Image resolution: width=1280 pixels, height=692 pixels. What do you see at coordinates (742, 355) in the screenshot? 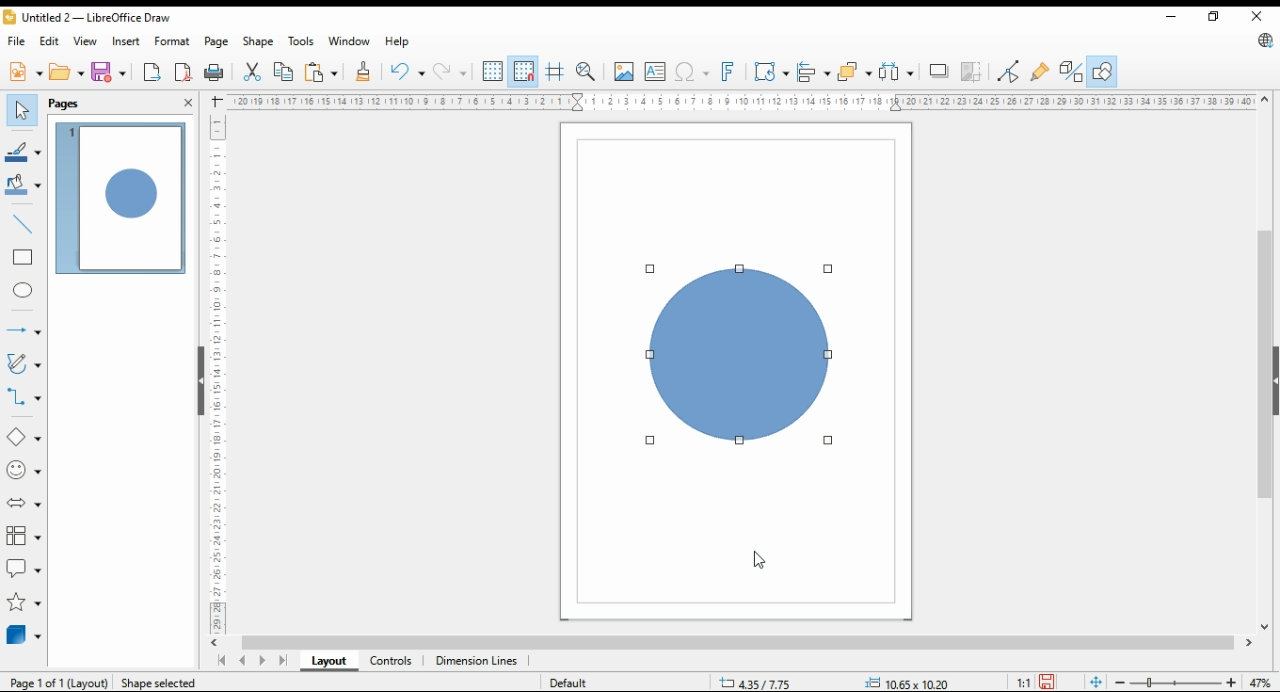
I see `shape` at bounding box center [742, 355].